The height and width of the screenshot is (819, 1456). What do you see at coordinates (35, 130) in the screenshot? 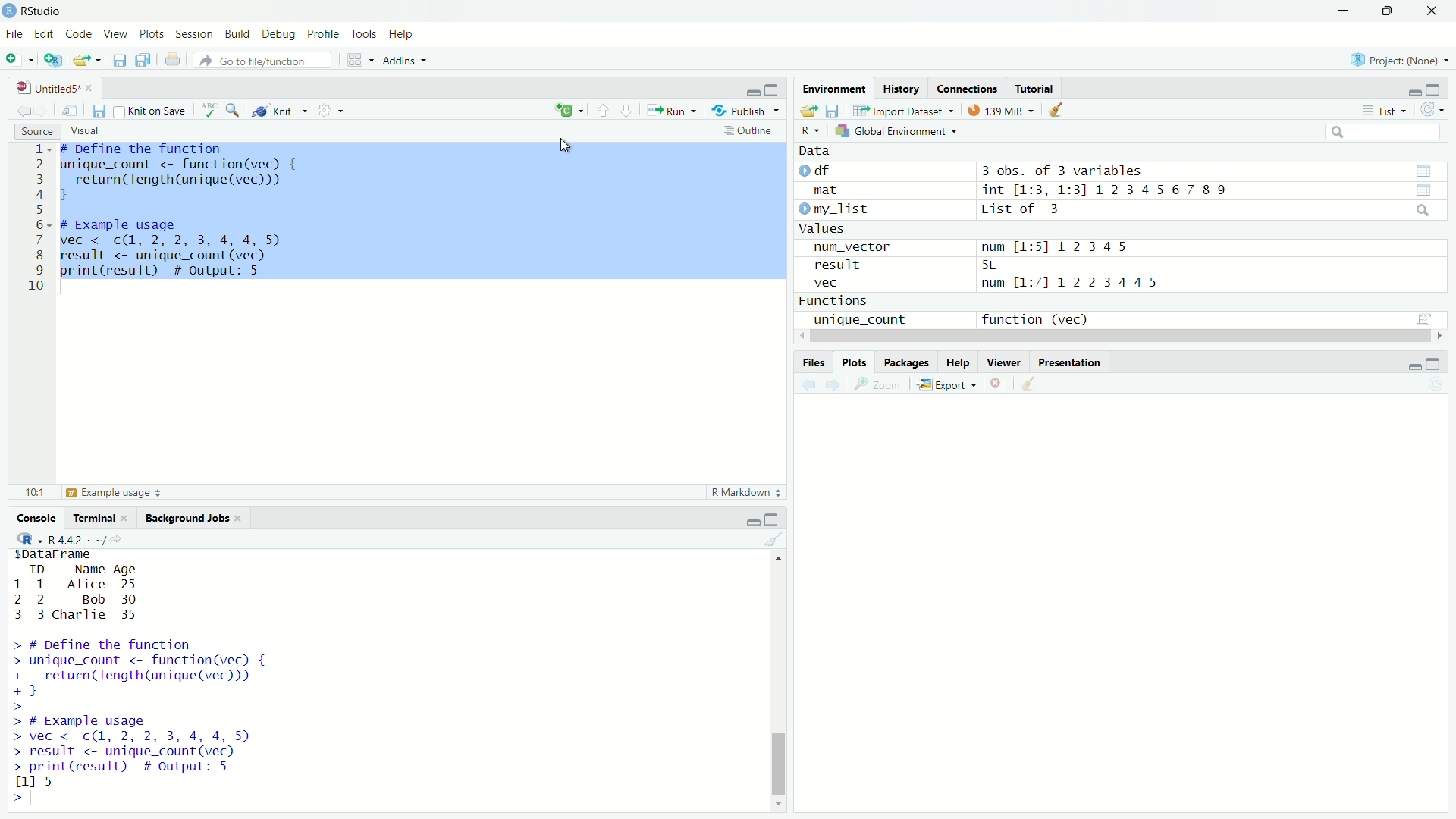
I see `Source` at bounding box center [35, 130].